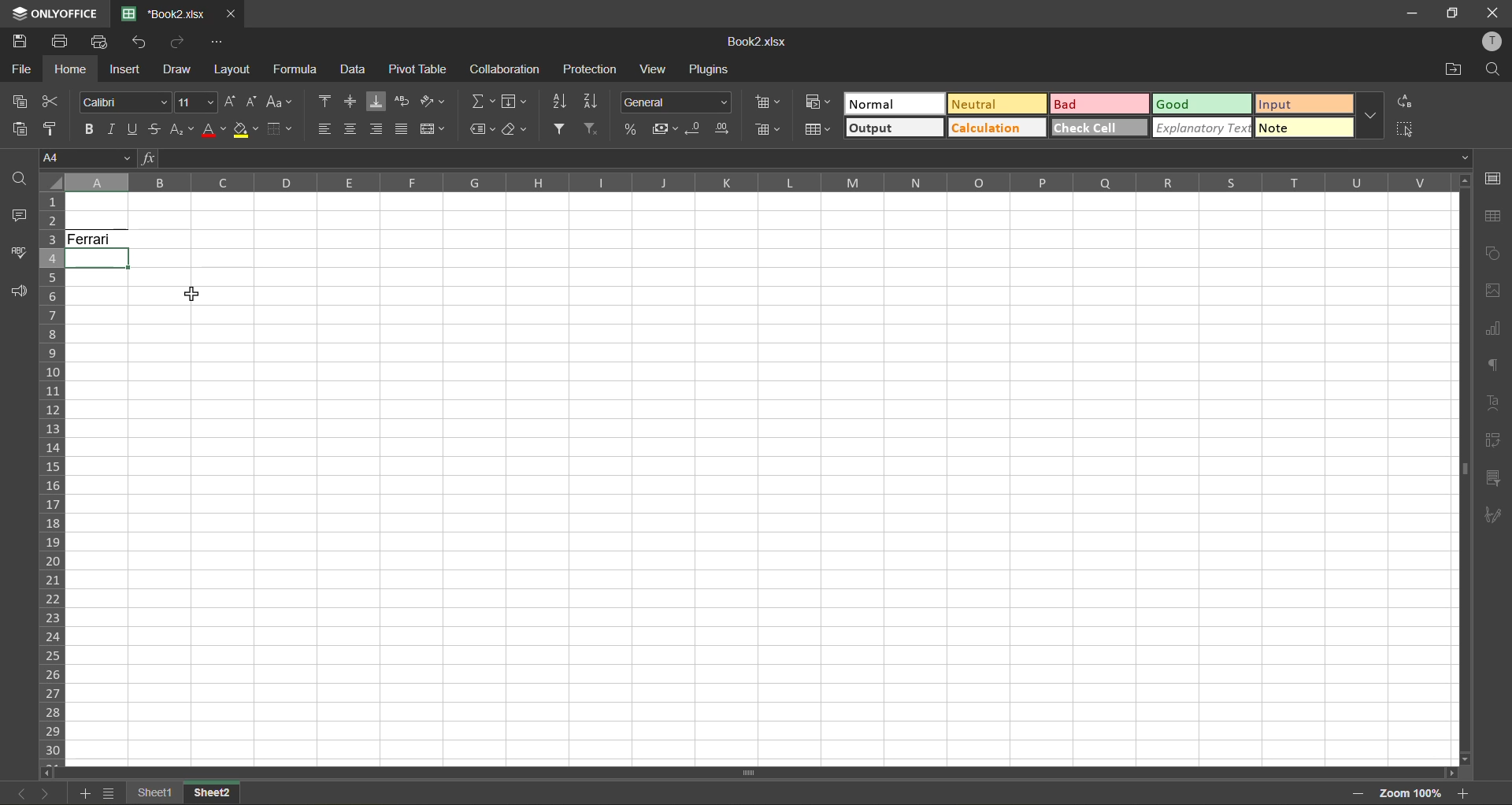  What do you see at coordinates (1305, 127) in the screenshot?
I see `note` at bounding box center [1305, 127].